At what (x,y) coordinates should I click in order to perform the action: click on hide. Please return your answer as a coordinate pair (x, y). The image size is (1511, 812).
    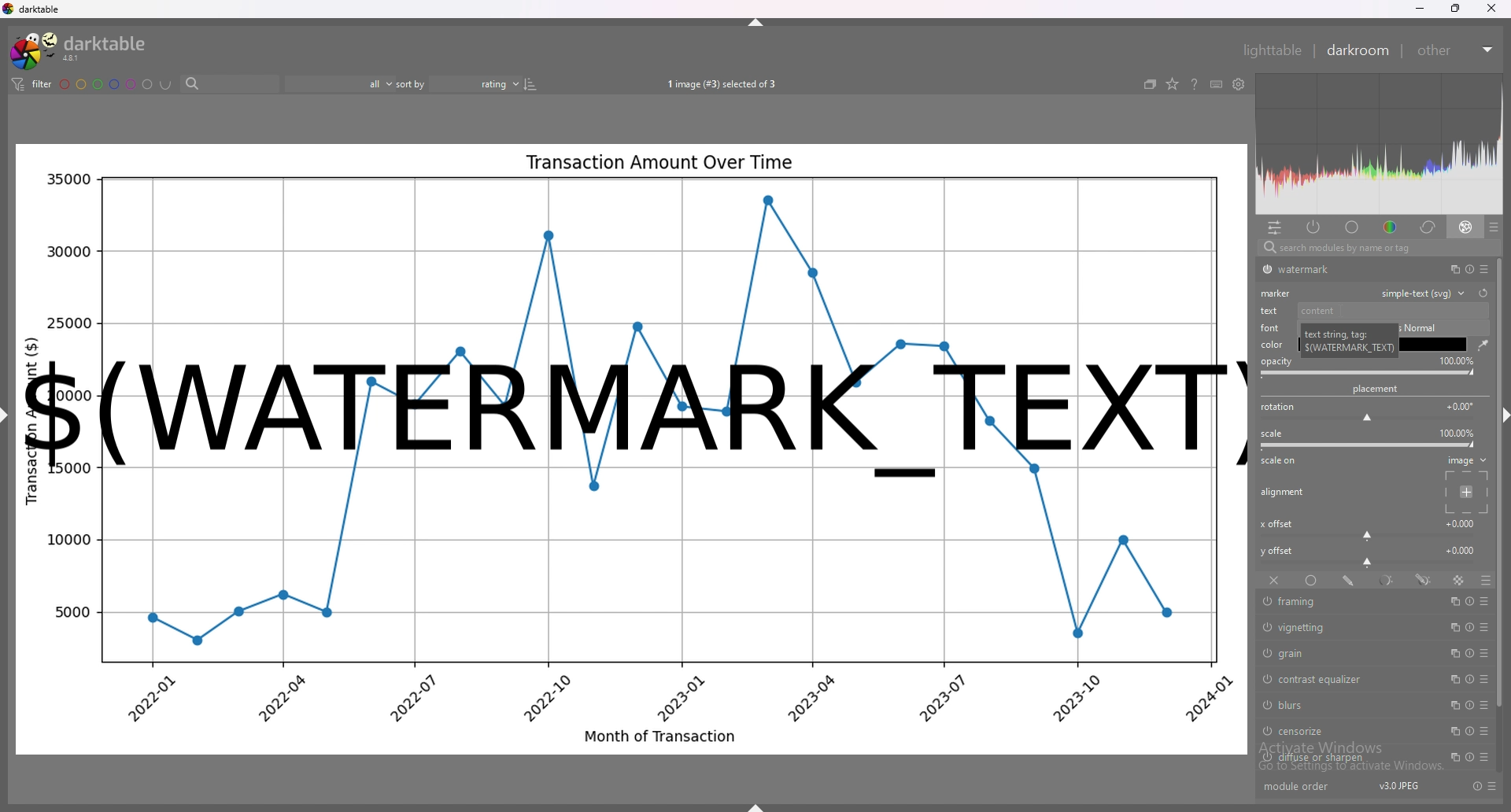
    Looking at the image, I should click on (1502, 418).